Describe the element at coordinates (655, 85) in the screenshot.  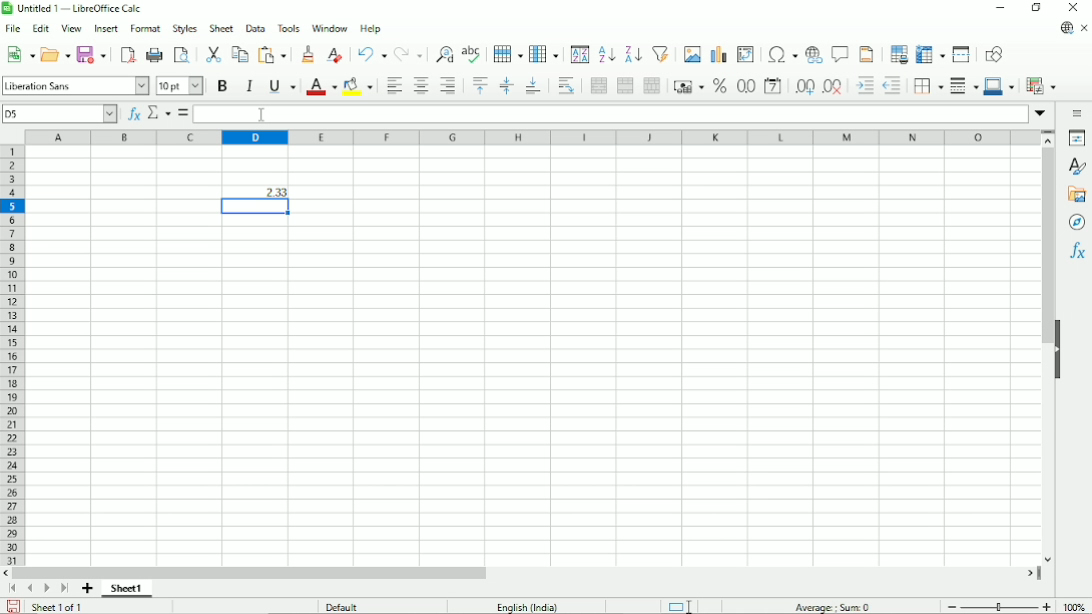
I see `Unmerge cells` at that location.